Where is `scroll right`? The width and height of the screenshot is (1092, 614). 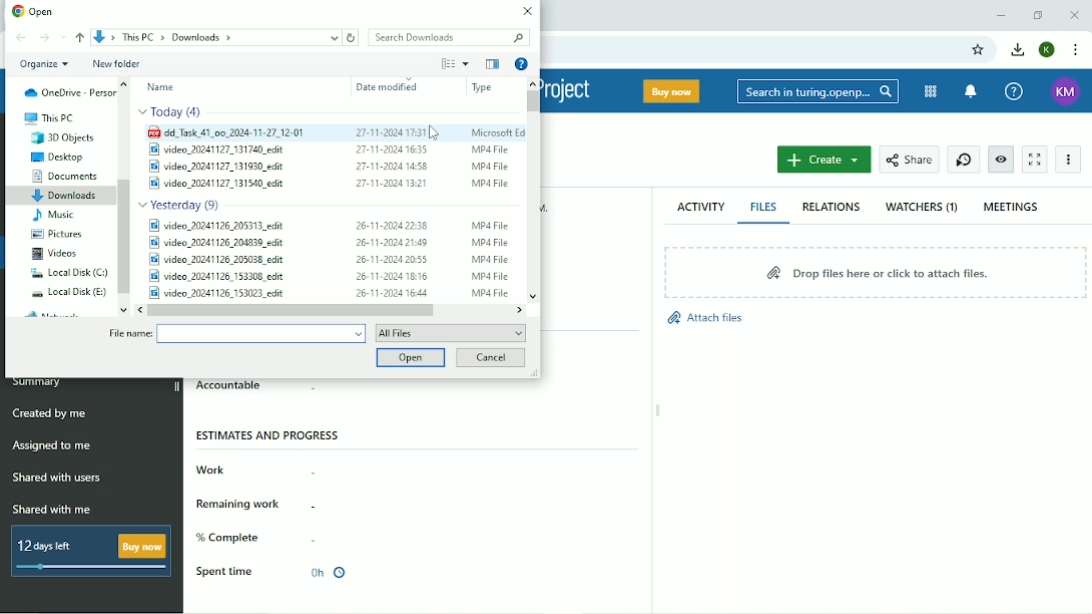
scroll right is located at coordinates (521, 309).